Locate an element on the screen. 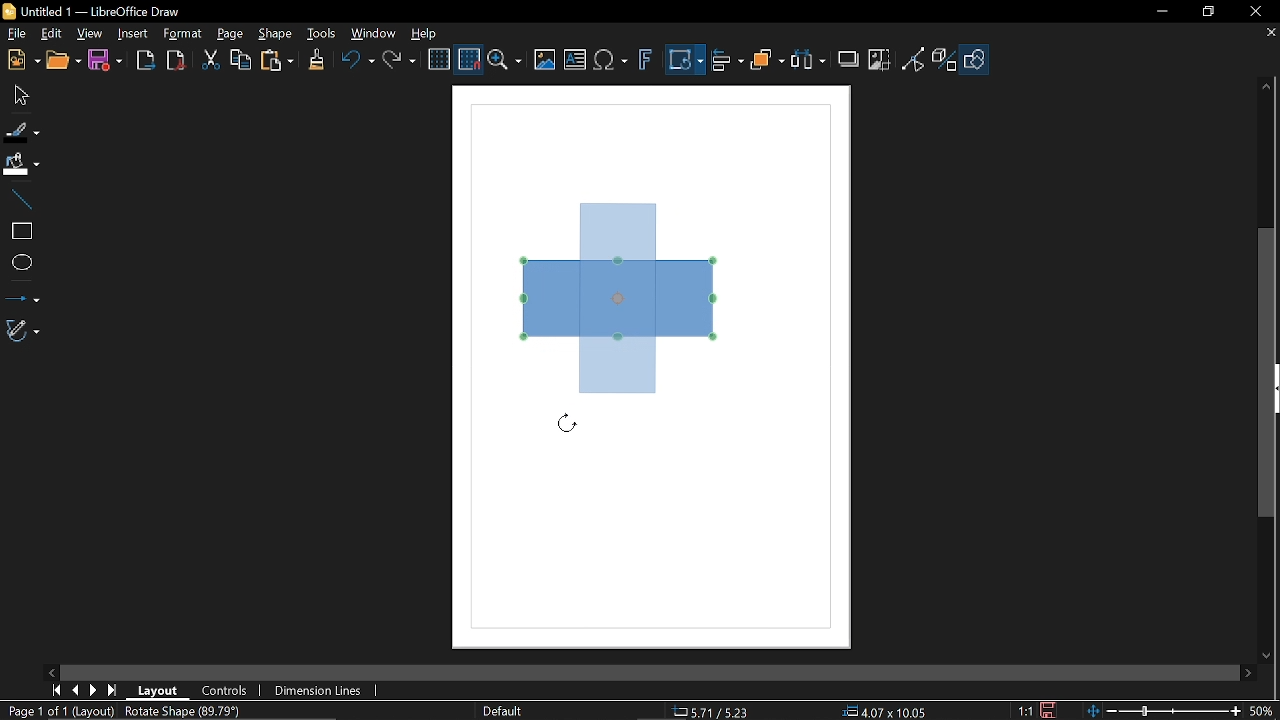 Image resolution: width=1280 pixels, height=720 pixels. Format is located at coordinates (181, 34).